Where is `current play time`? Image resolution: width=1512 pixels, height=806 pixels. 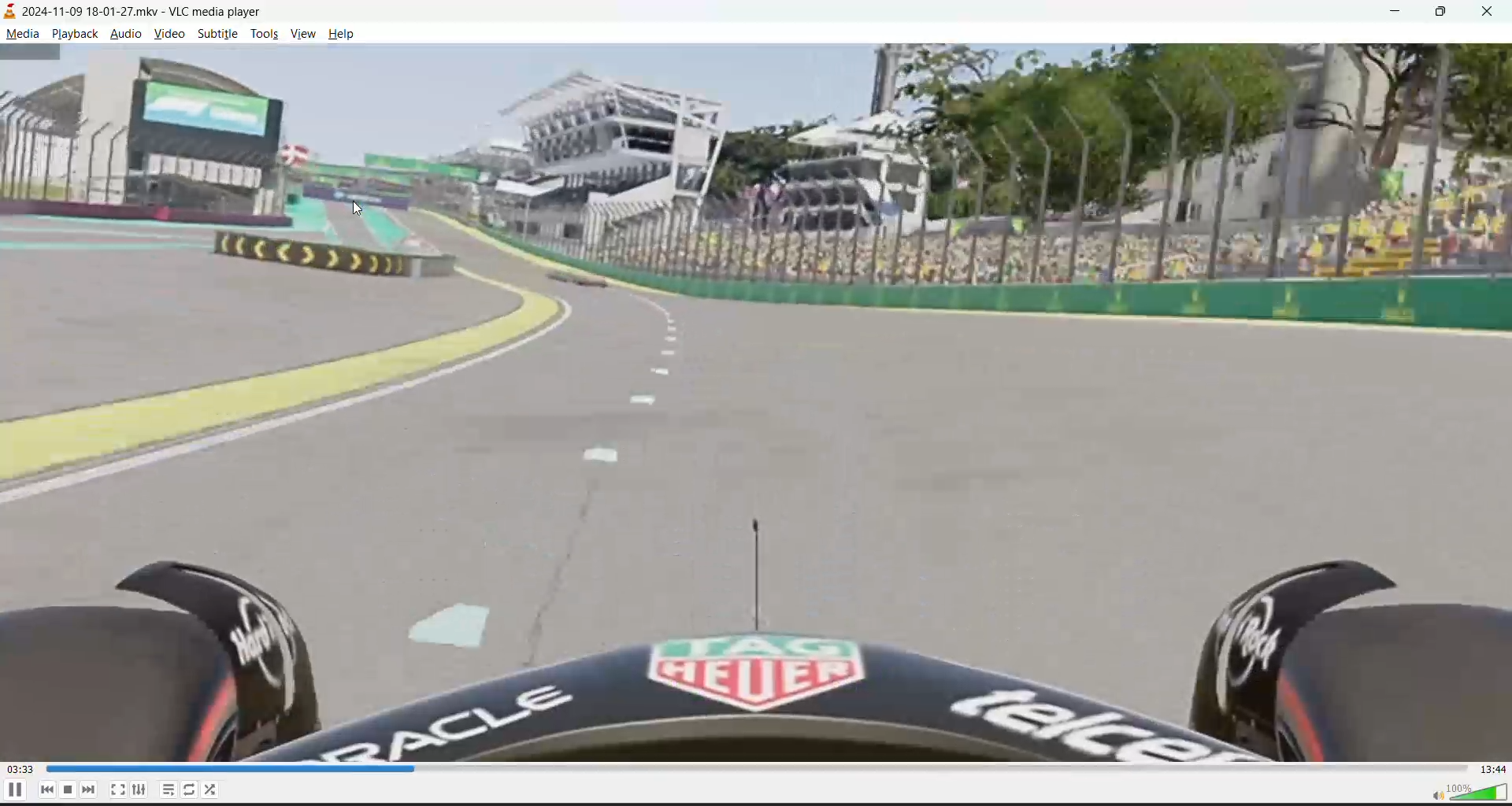
current play time is located at coordinates (21, 771).